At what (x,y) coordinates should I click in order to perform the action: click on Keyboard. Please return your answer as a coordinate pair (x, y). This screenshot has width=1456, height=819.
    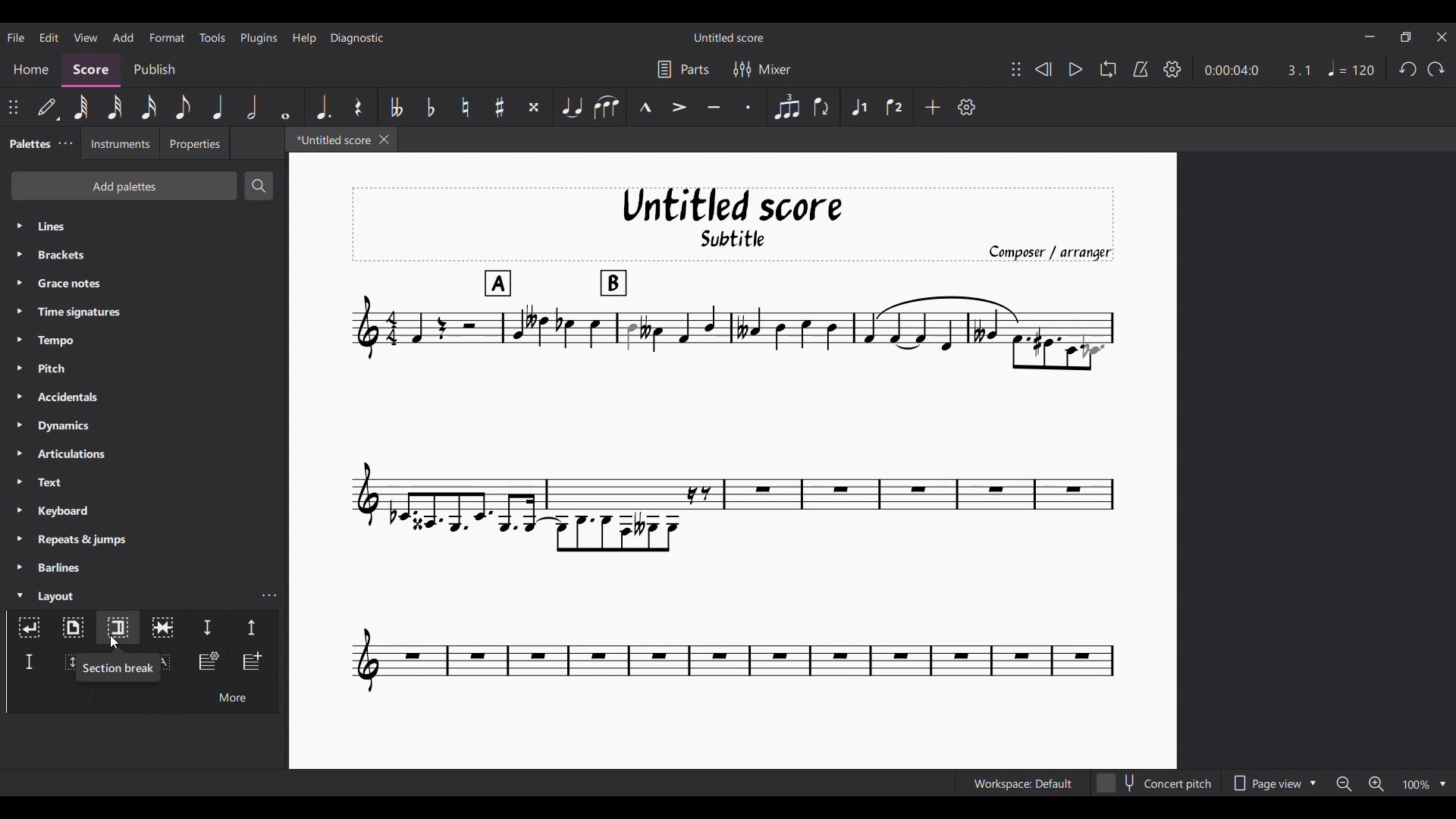
    Looking at the image, I should click on (145, 510).